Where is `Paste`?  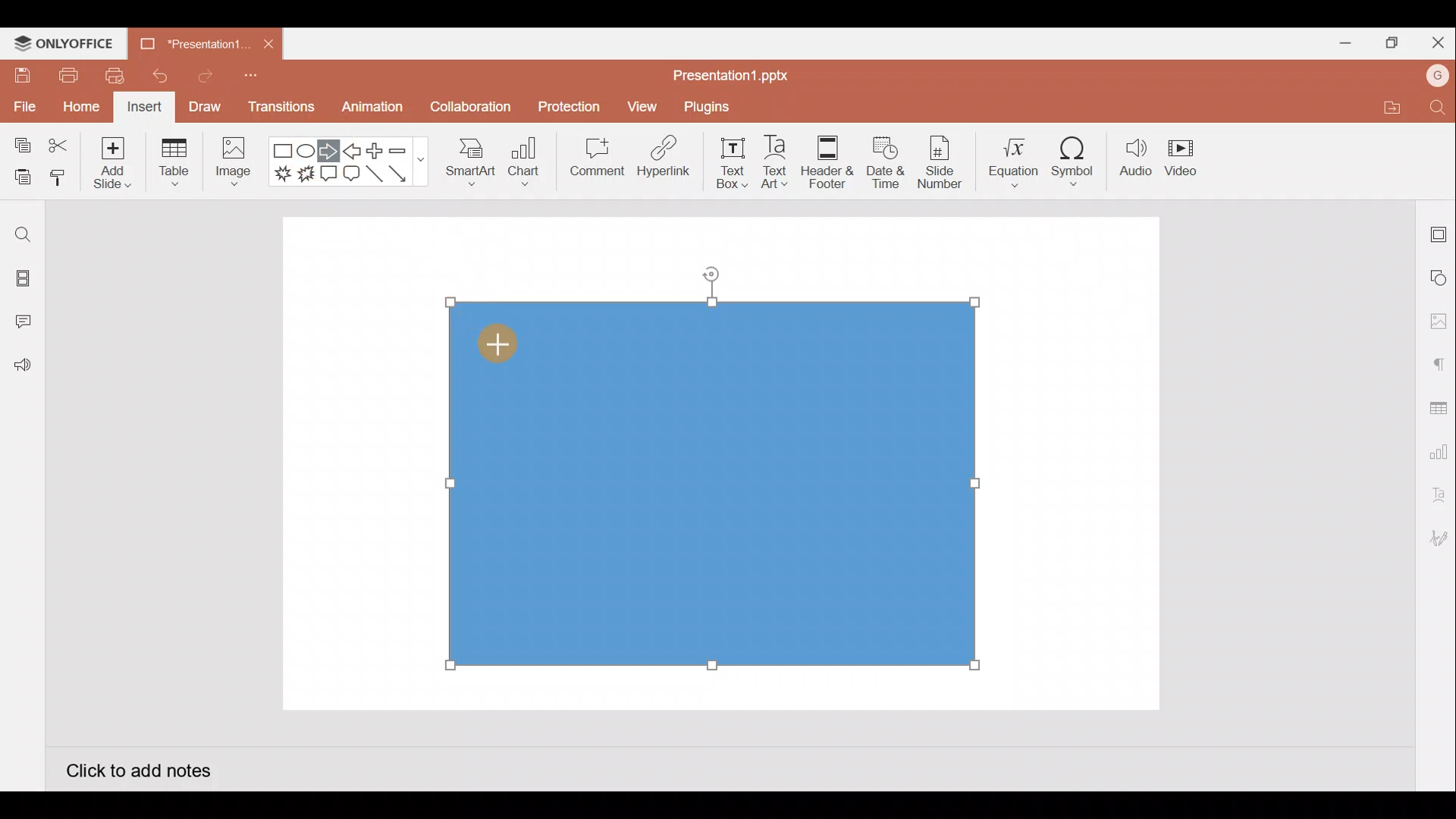
Paste is located at coordinates (19, 178).